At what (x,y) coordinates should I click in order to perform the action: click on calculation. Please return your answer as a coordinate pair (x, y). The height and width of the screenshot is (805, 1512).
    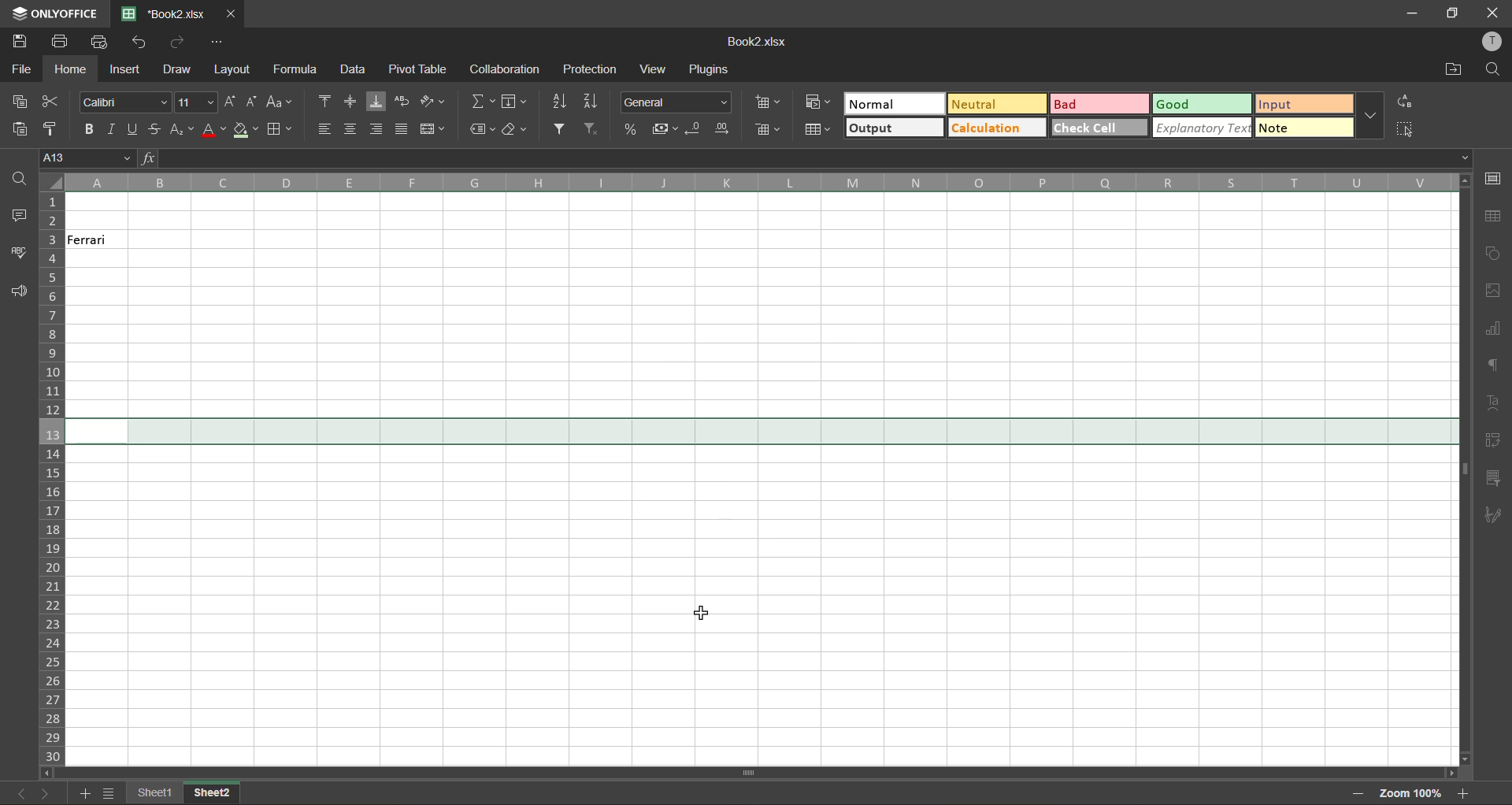
    Looking at the image, I should click on (997, 128).